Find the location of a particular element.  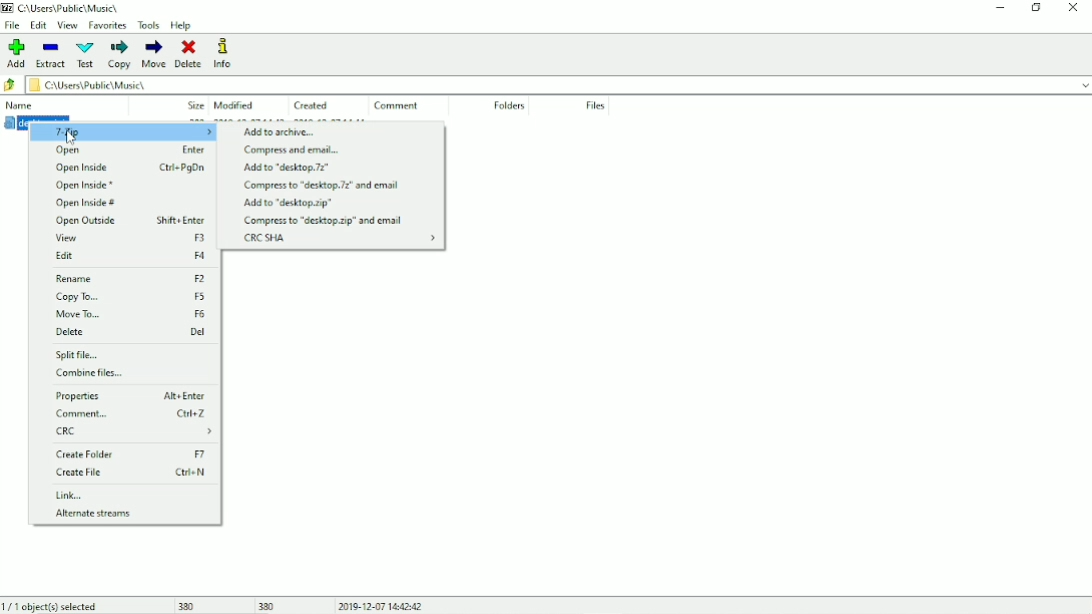

Alternate streams is located at coordinates (102, 513).